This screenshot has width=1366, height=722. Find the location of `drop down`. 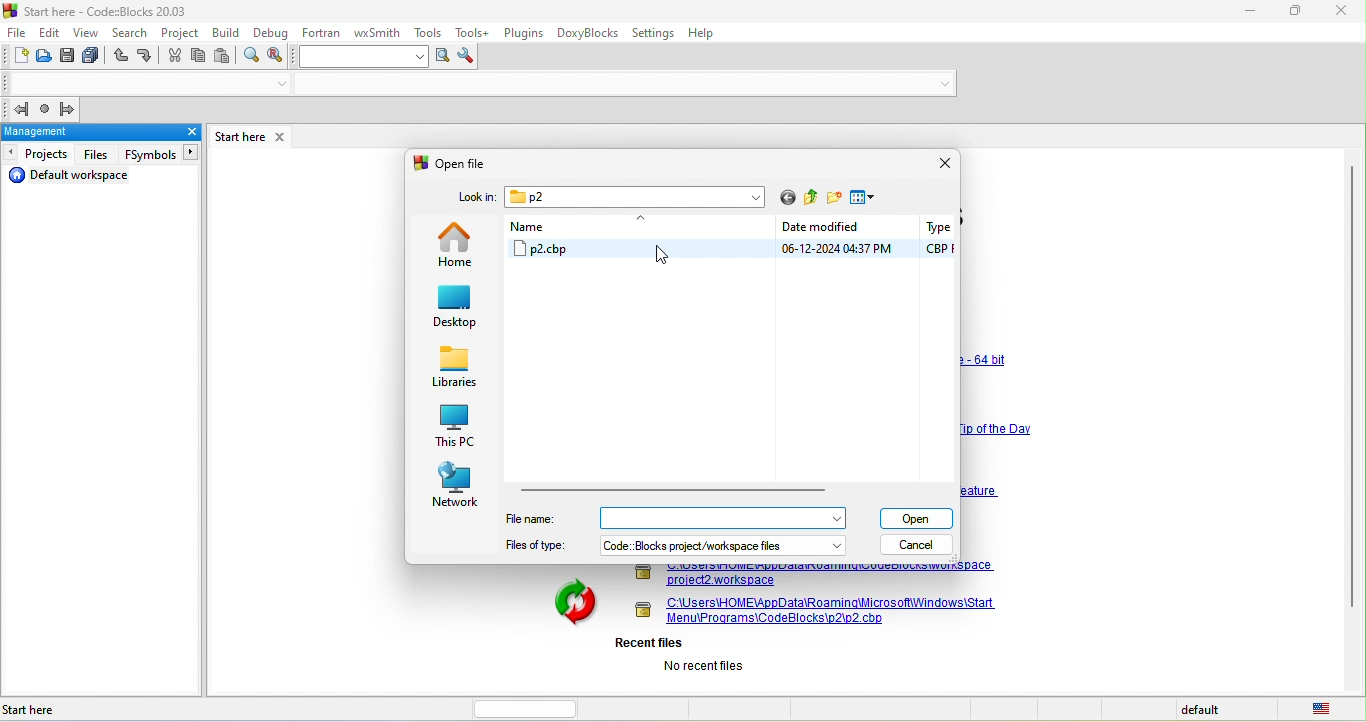

drop down is located at coordinates (277, 84).